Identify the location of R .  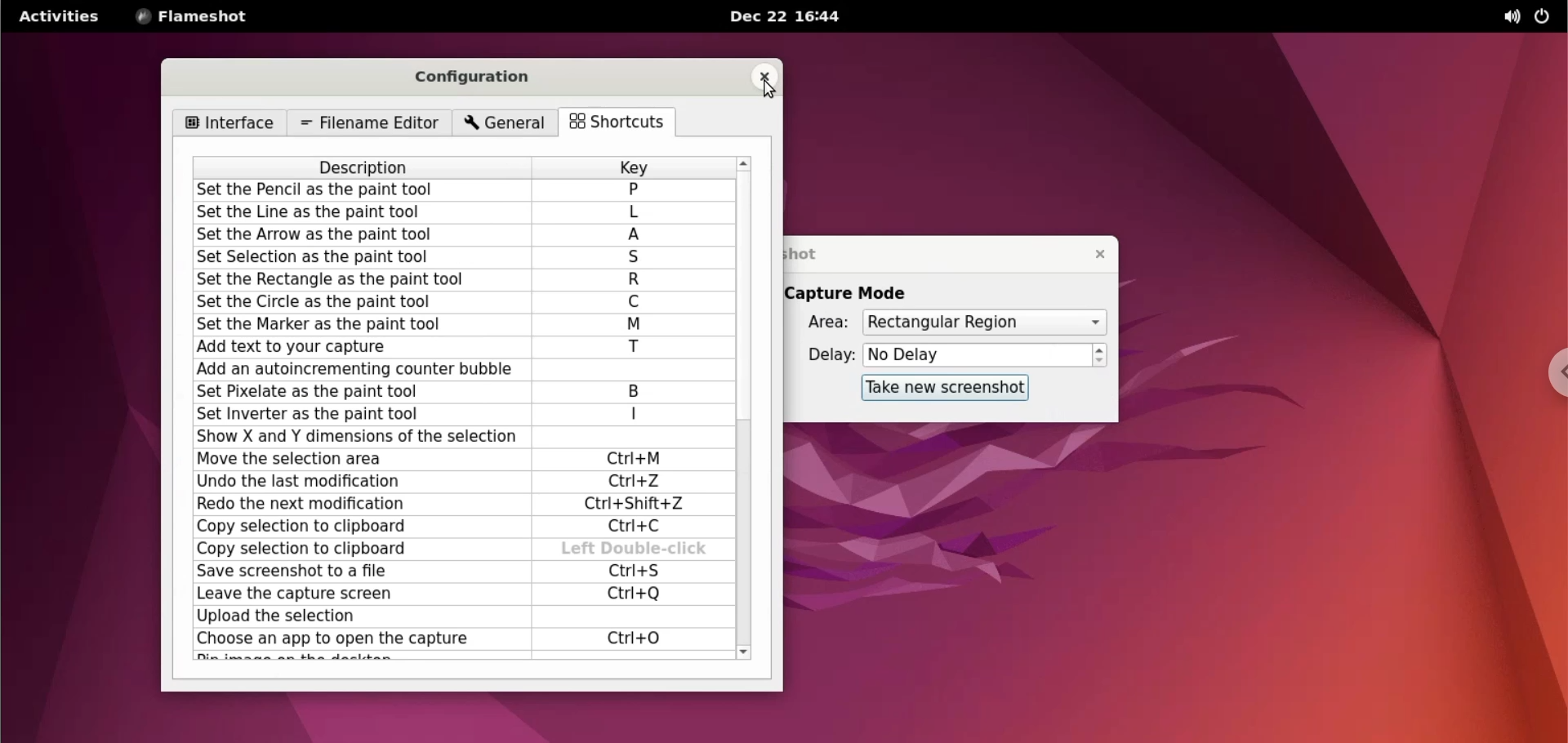
(635, 281).